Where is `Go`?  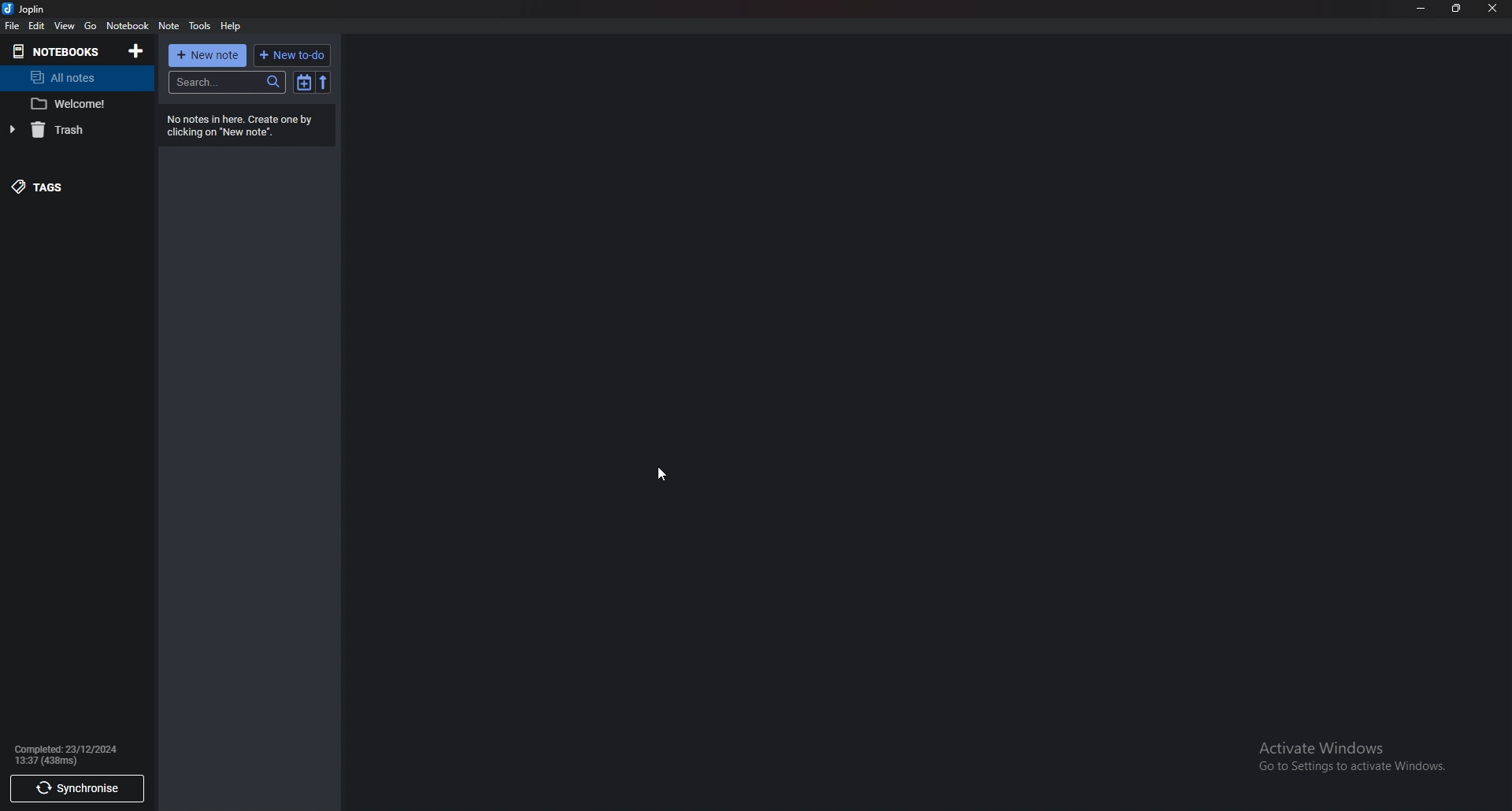
Go is located at coordinates (92, 26).